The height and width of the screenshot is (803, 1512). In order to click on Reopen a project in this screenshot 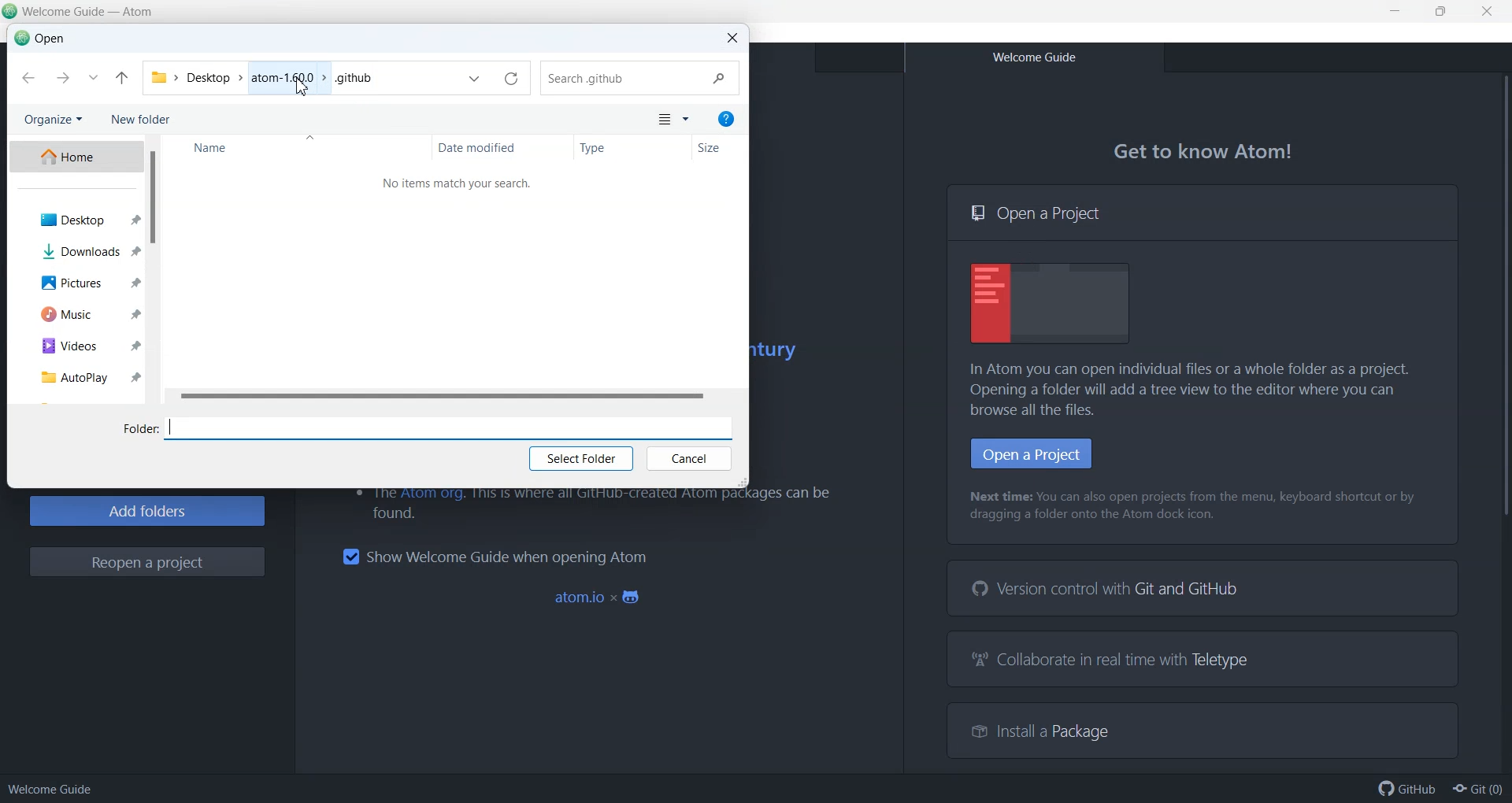, I will do `click(147, 562)`.